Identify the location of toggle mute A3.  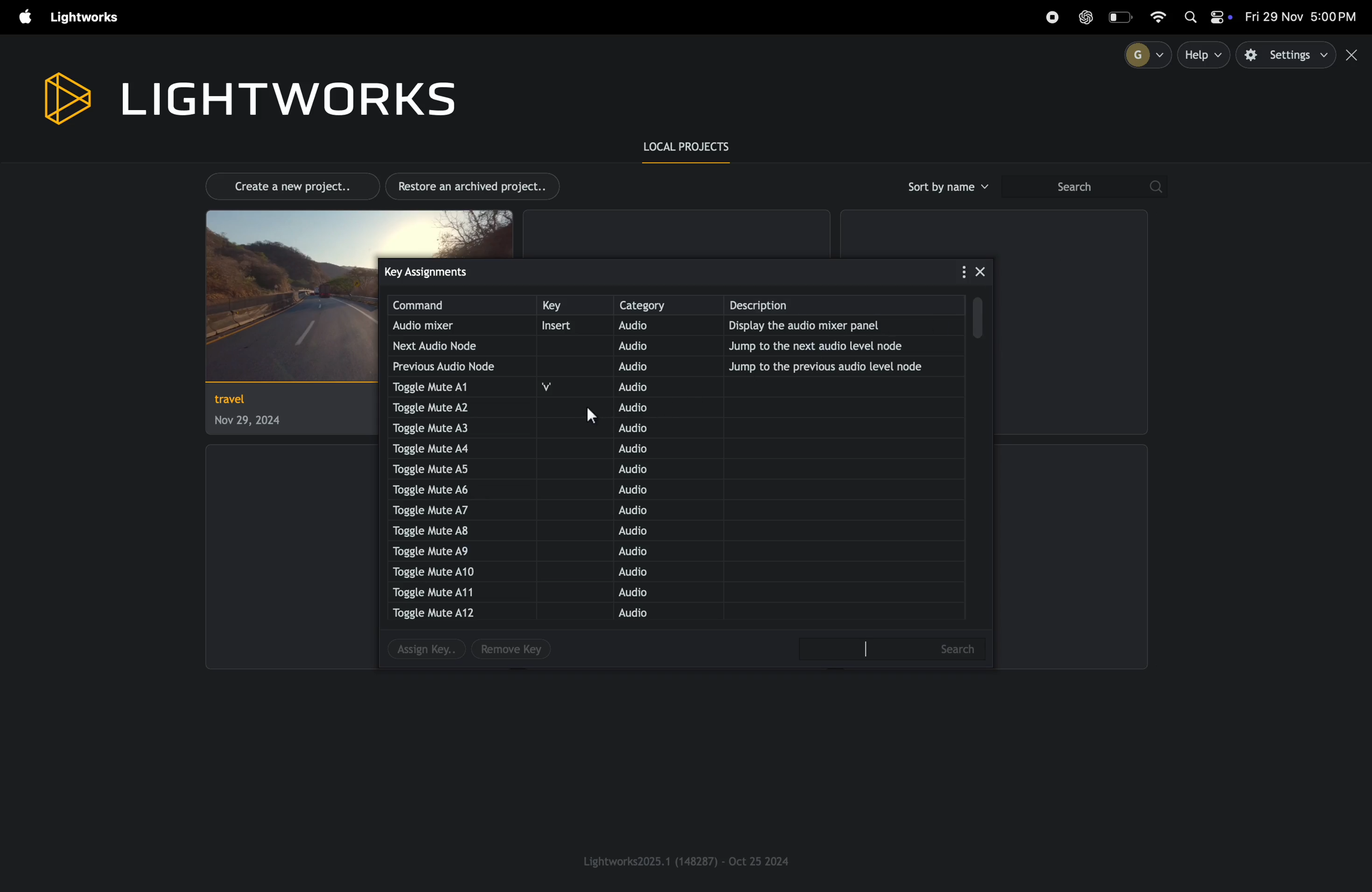
(452, 427).